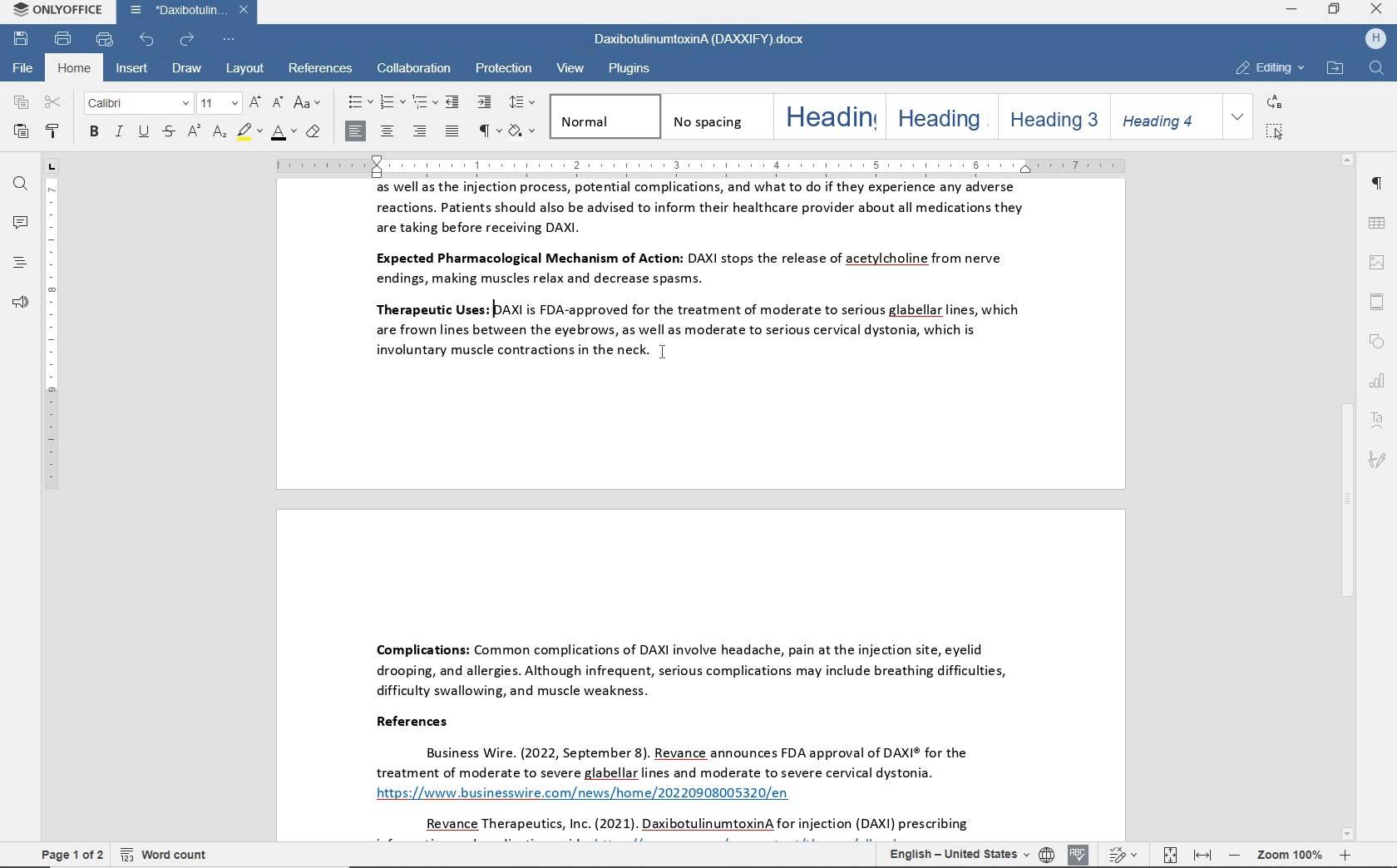 The height and width of the screenshot is (868, 1397). What do you see at coordinates (572, 70) in the screenshot?
I see `view` at bounding box center [572, 70].